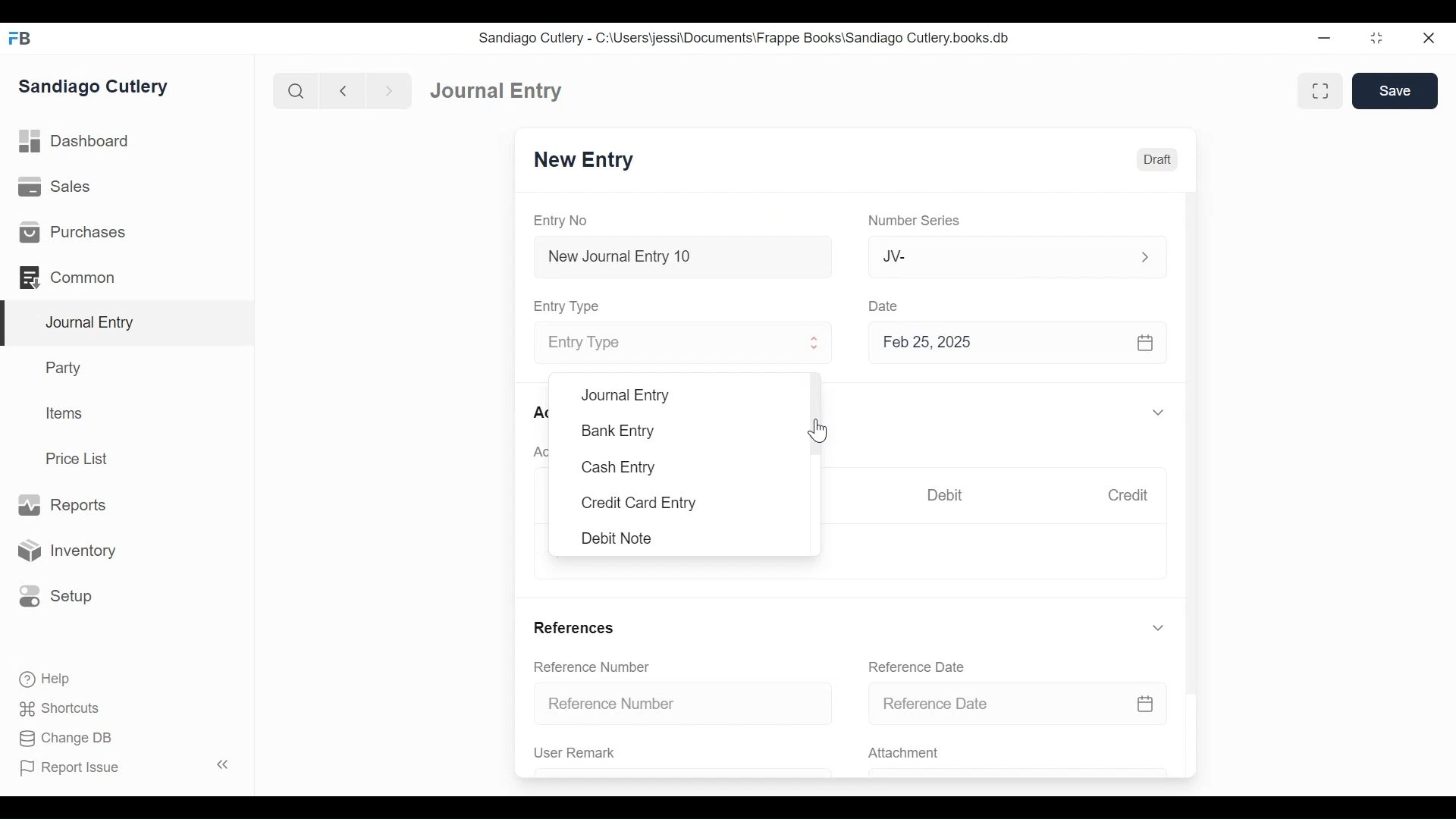 This screenshot has width=1456, height=819. What do you see at coordinates (61, 504) in the screenshot?
I see `Reports` at bounding box center [61, 504].